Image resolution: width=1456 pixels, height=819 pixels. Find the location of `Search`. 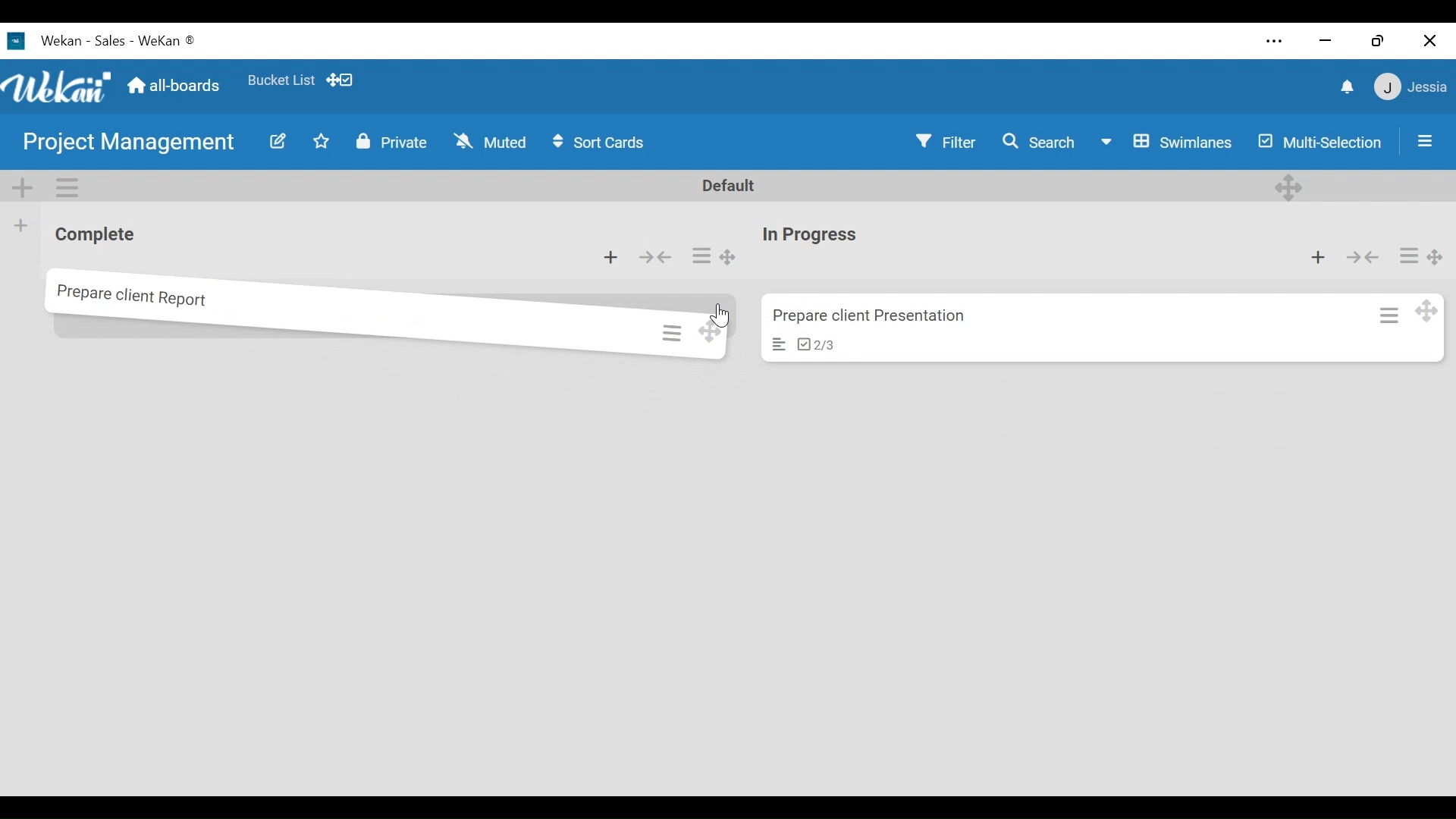

Search is located at coordinates (1041, 143).